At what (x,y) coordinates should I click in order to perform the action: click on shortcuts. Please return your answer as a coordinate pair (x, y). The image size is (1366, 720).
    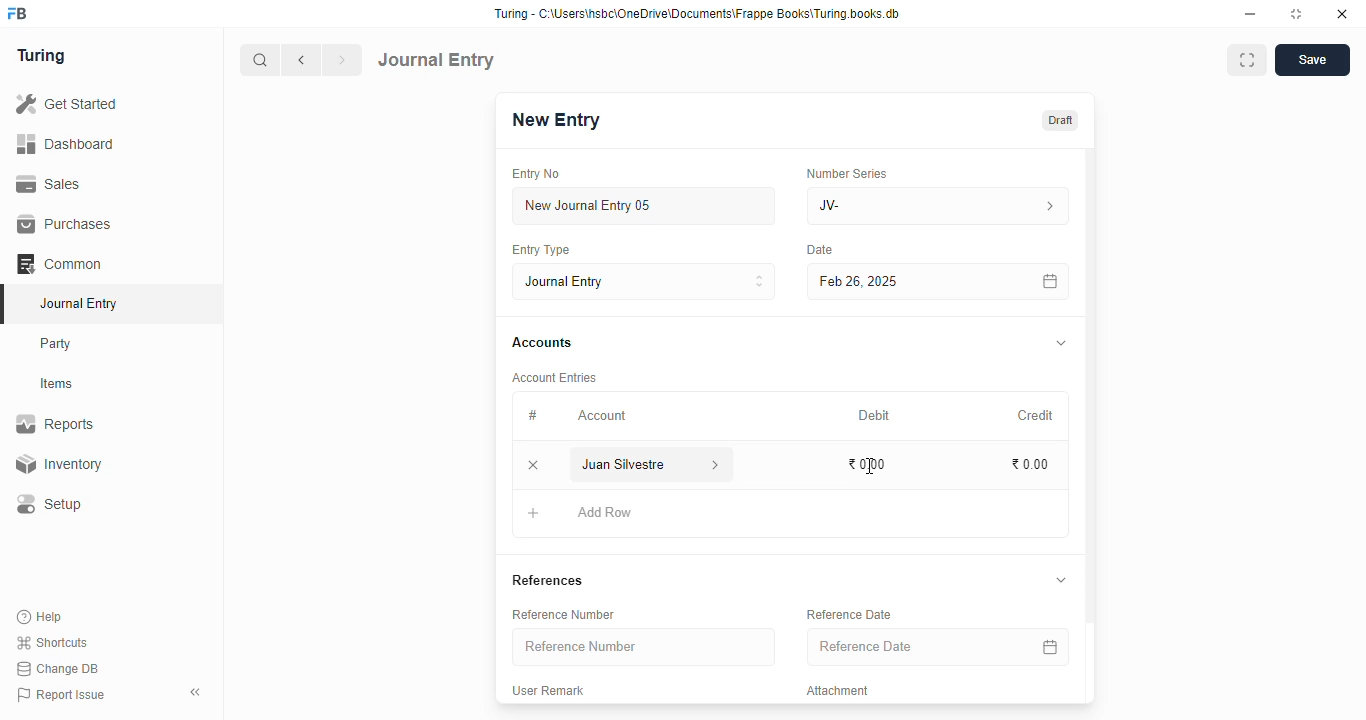
    Looking at the image, I should click on (52, 643).